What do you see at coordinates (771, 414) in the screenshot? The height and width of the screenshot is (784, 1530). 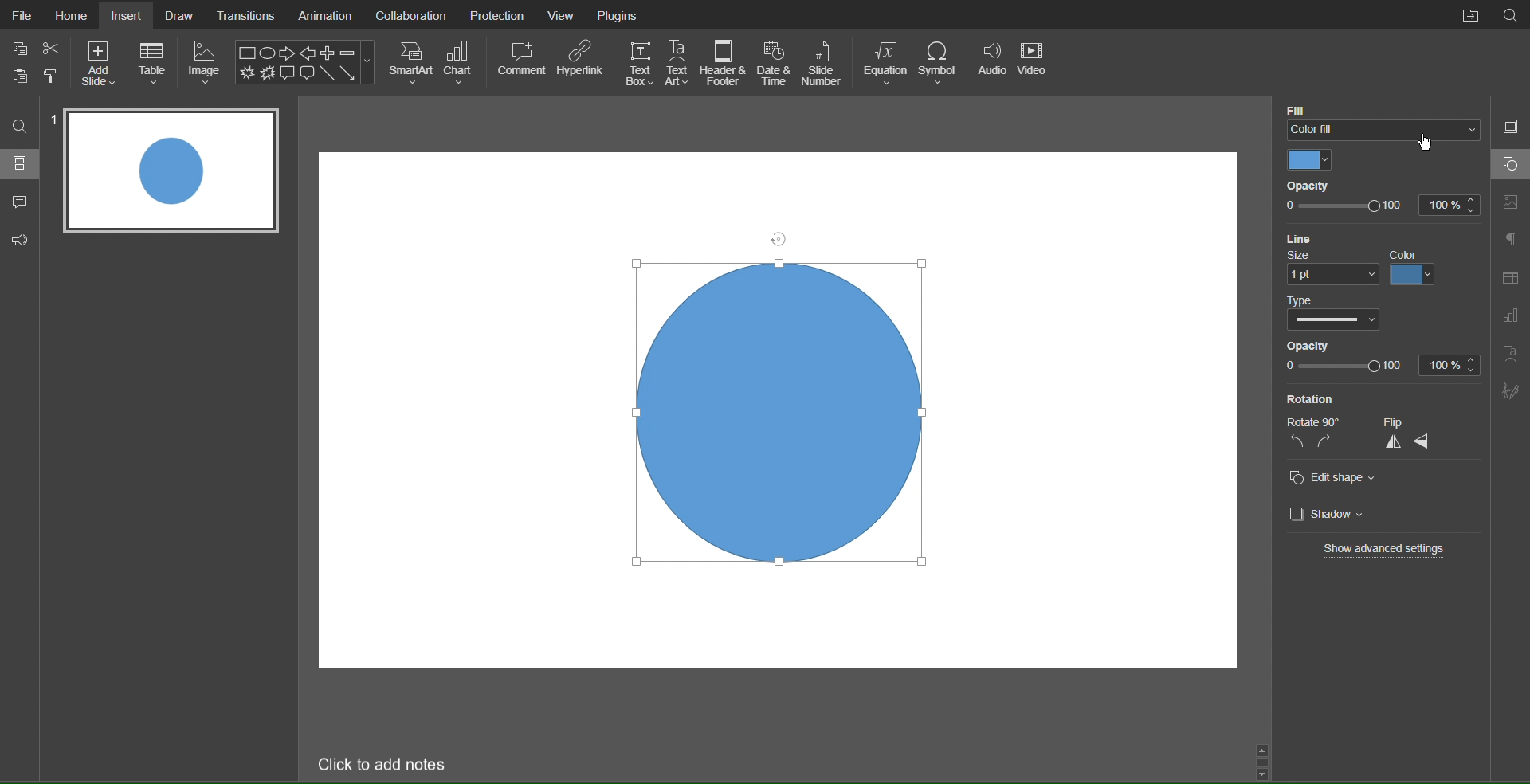 I see `Circle Selected` at bounding box center [771, 414].